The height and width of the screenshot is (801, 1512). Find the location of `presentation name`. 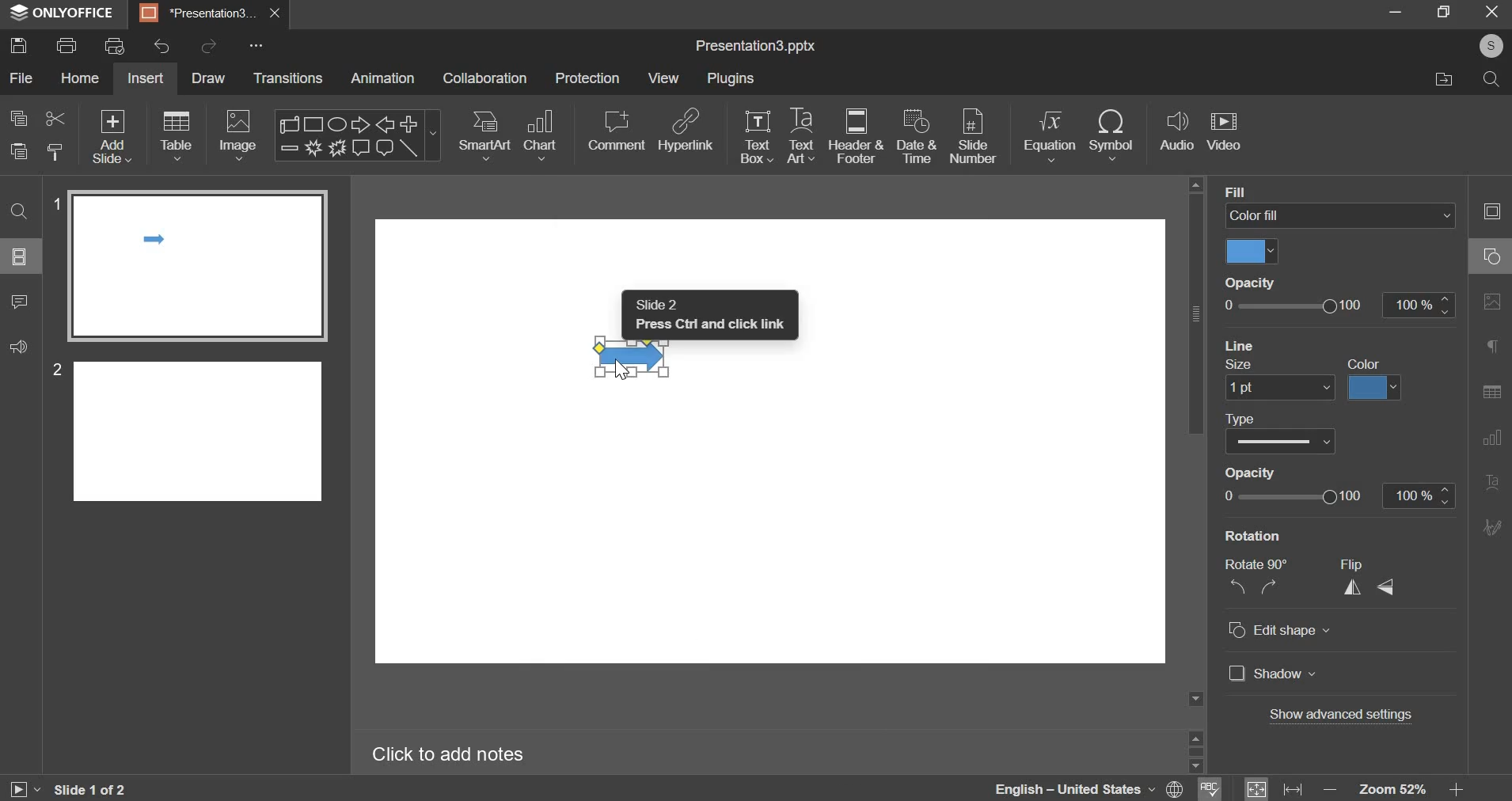

presentation name is located at coordinates (755, 47).